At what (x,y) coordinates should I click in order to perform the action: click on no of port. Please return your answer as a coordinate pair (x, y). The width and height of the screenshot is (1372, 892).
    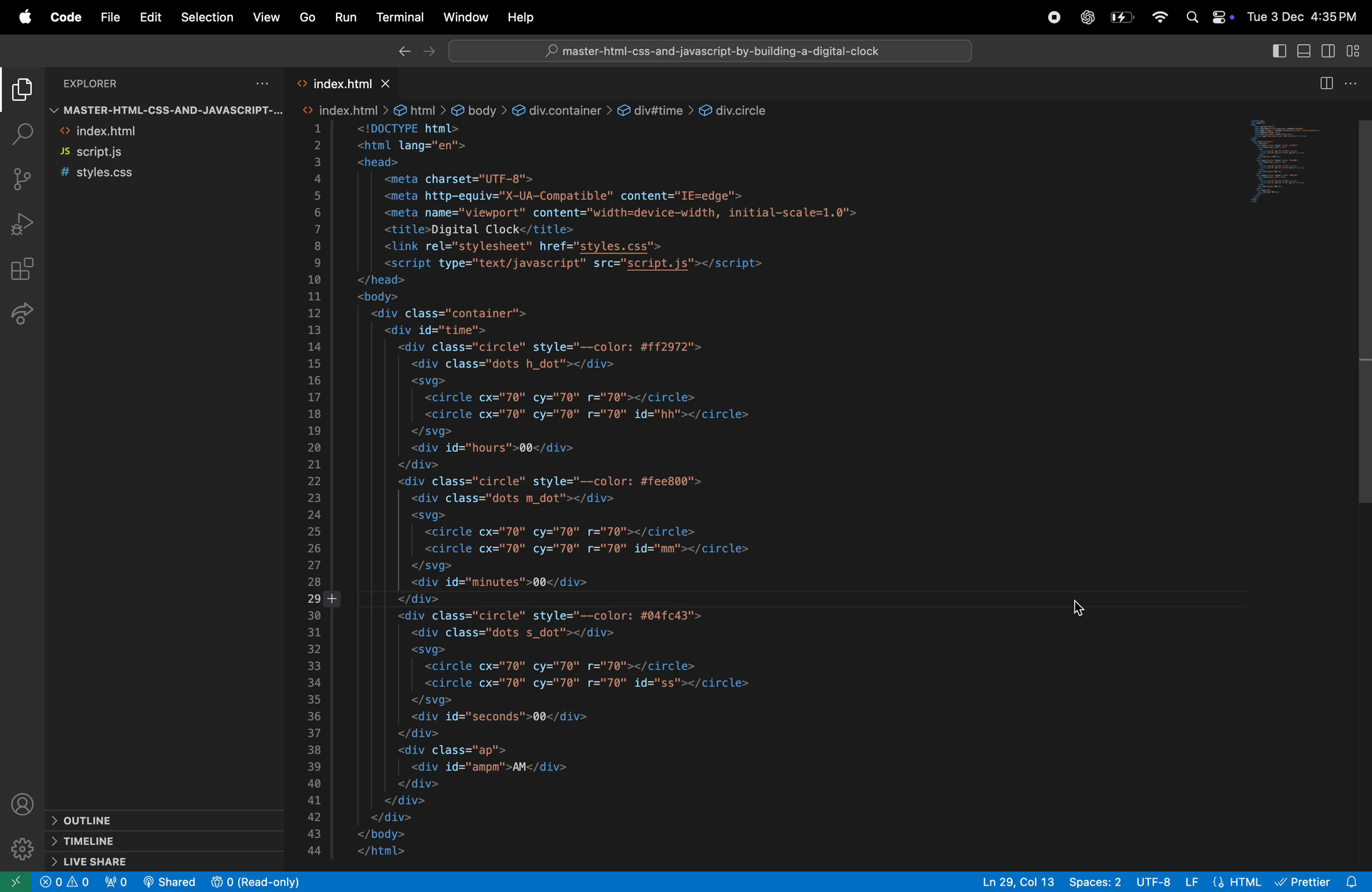
    Looking at the image, I should click on (118, 882).